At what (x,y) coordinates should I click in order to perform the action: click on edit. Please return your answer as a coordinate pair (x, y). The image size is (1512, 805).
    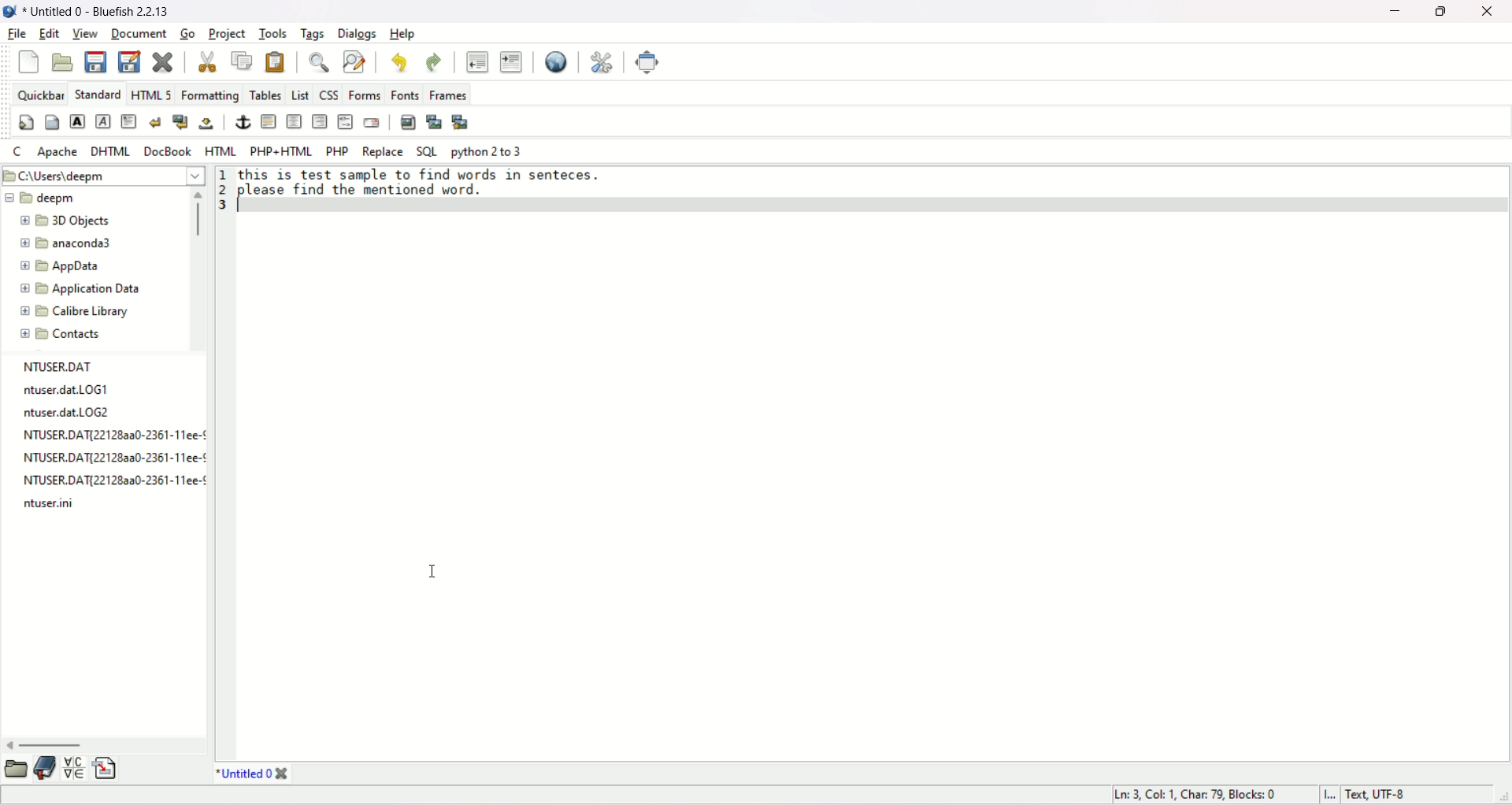
    Looking at the image, I should click on (50, 33).